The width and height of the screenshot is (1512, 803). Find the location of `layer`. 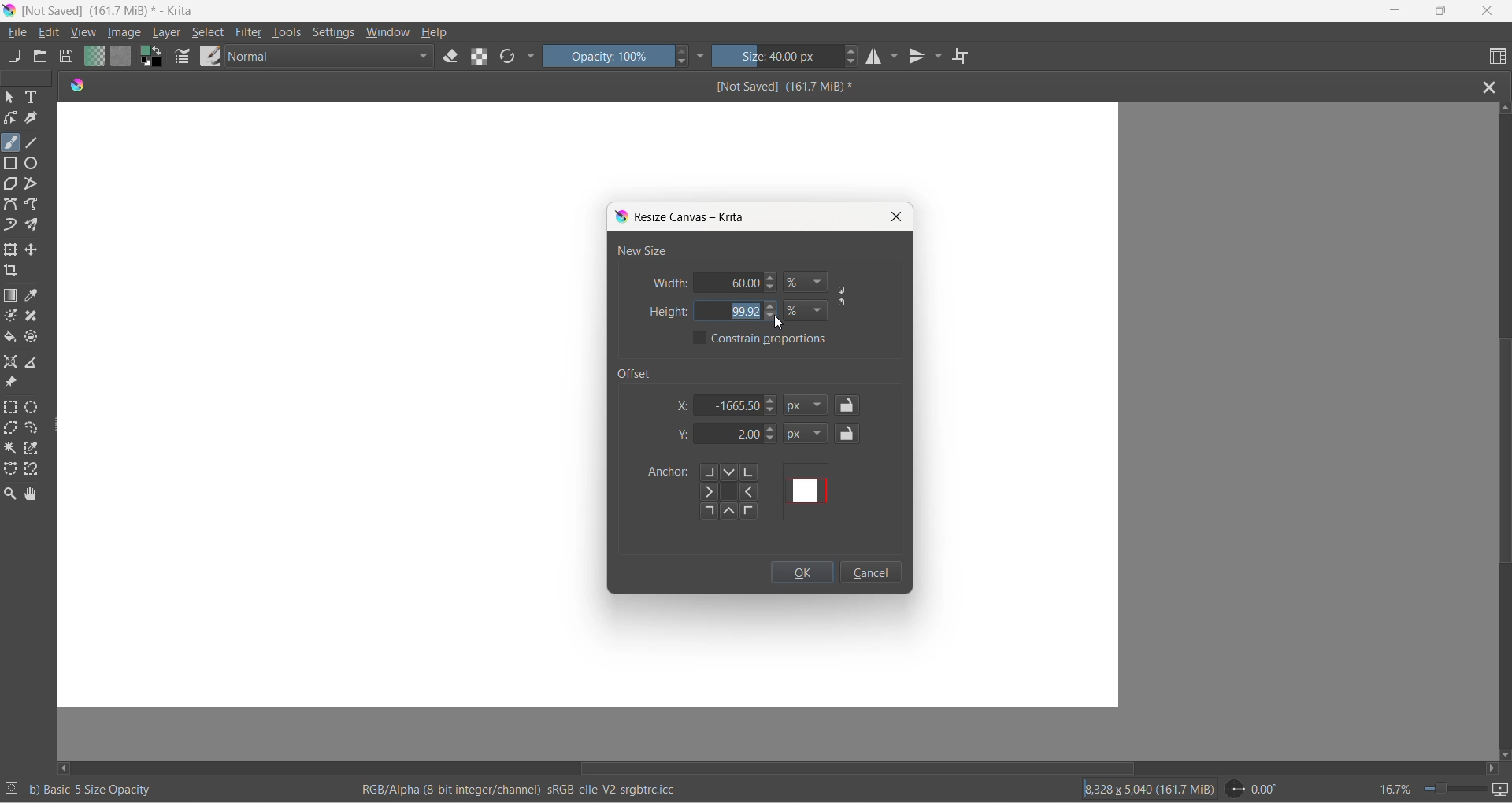

layer is located at coordinates (169, 33).